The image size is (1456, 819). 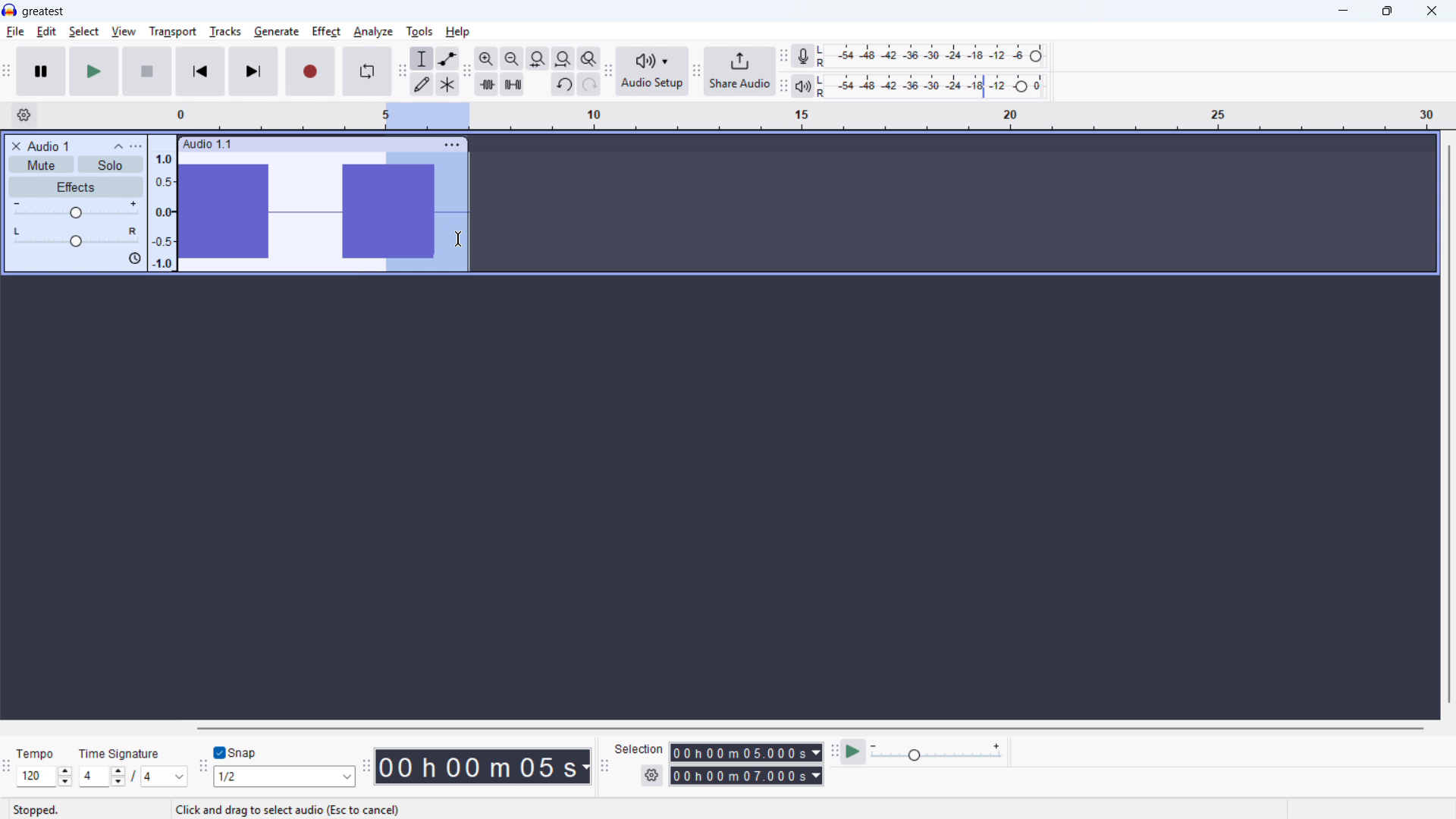 I want to click on Timeline settings , so click(x=24, y=115).